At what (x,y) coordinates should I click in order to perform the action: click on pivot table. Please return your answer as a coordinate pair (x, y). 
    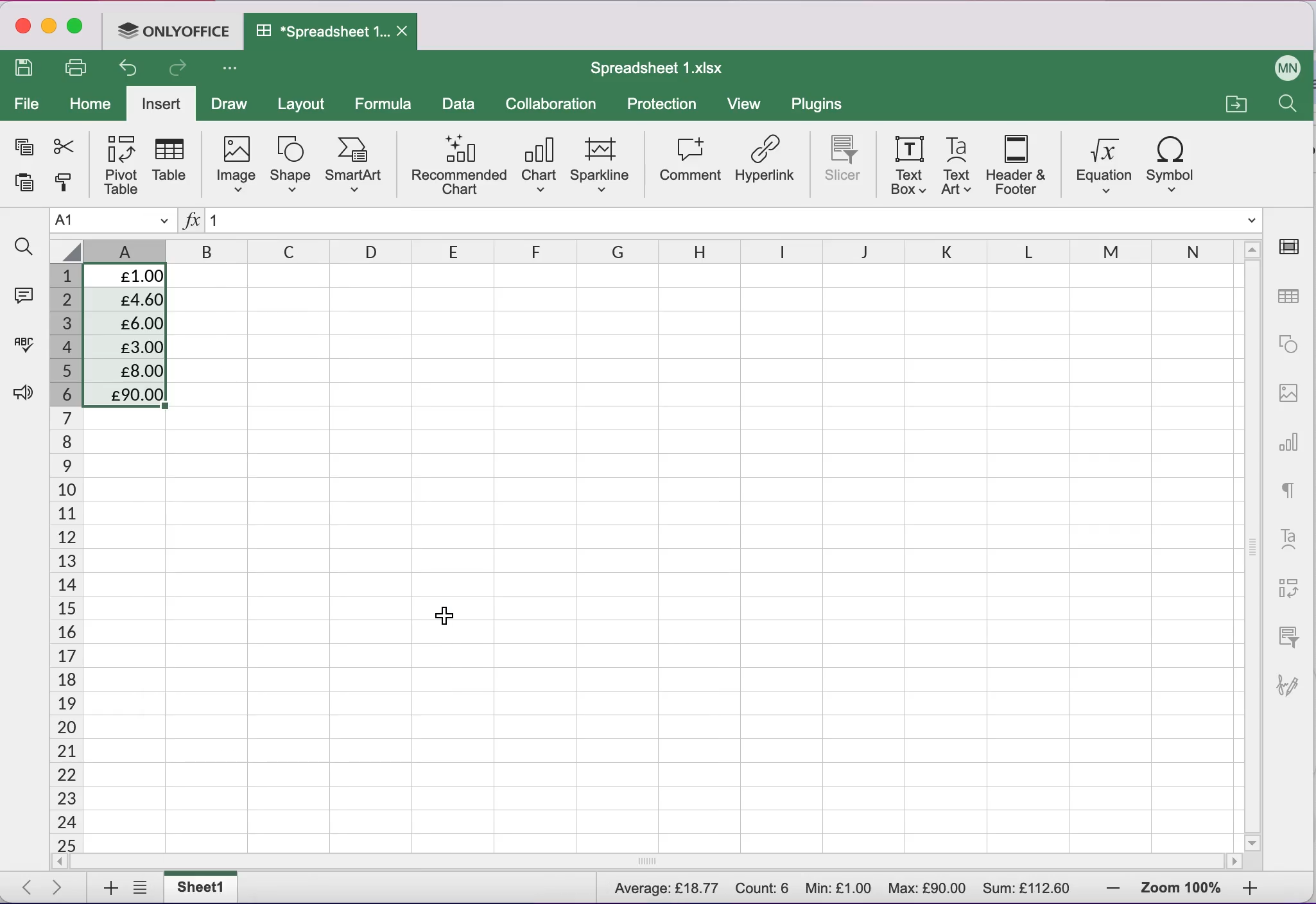
    Looking at the image, I should click on (117, 164).